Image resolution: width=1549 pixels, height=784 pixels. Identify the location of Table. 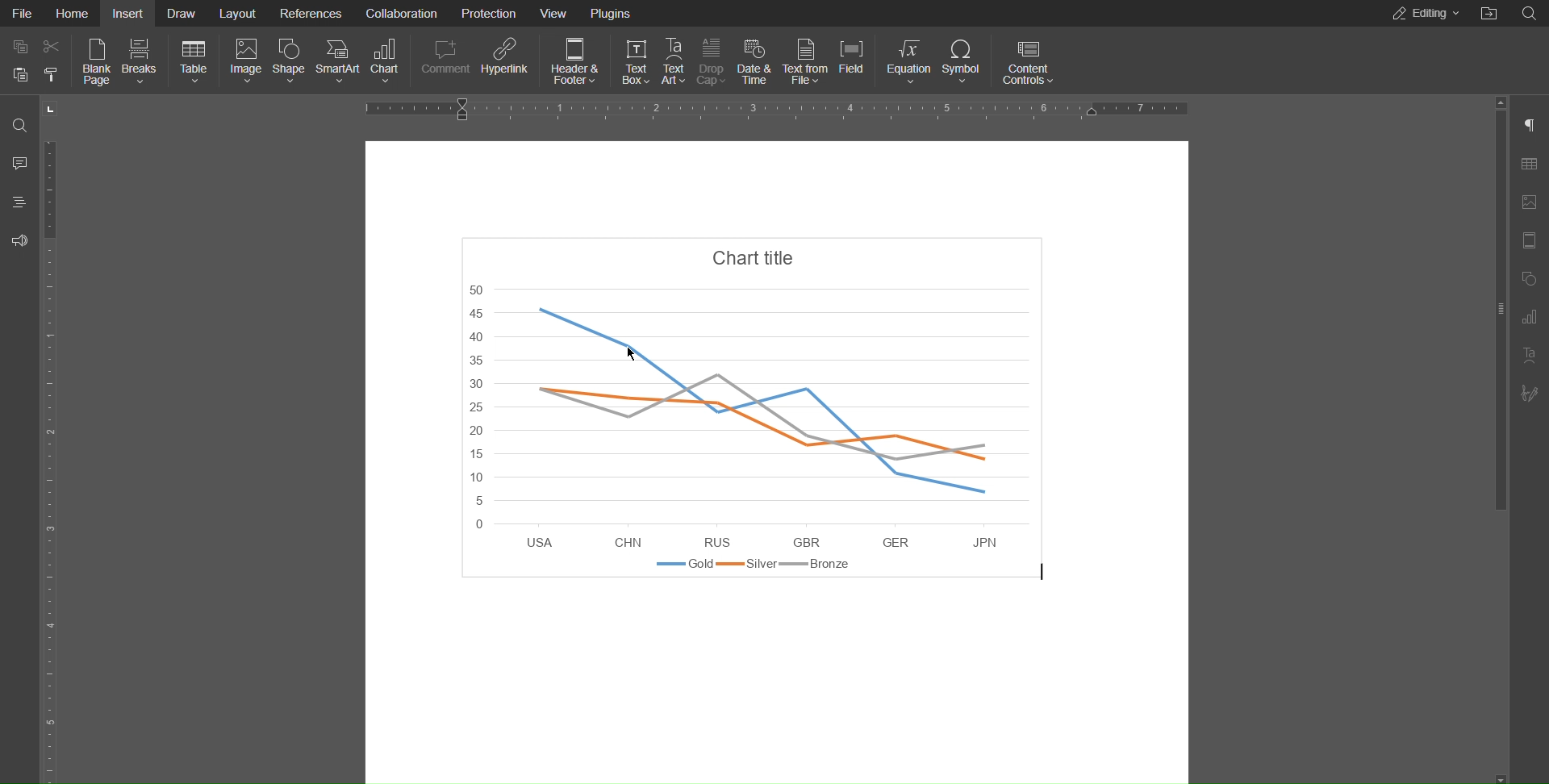
(193, 63).